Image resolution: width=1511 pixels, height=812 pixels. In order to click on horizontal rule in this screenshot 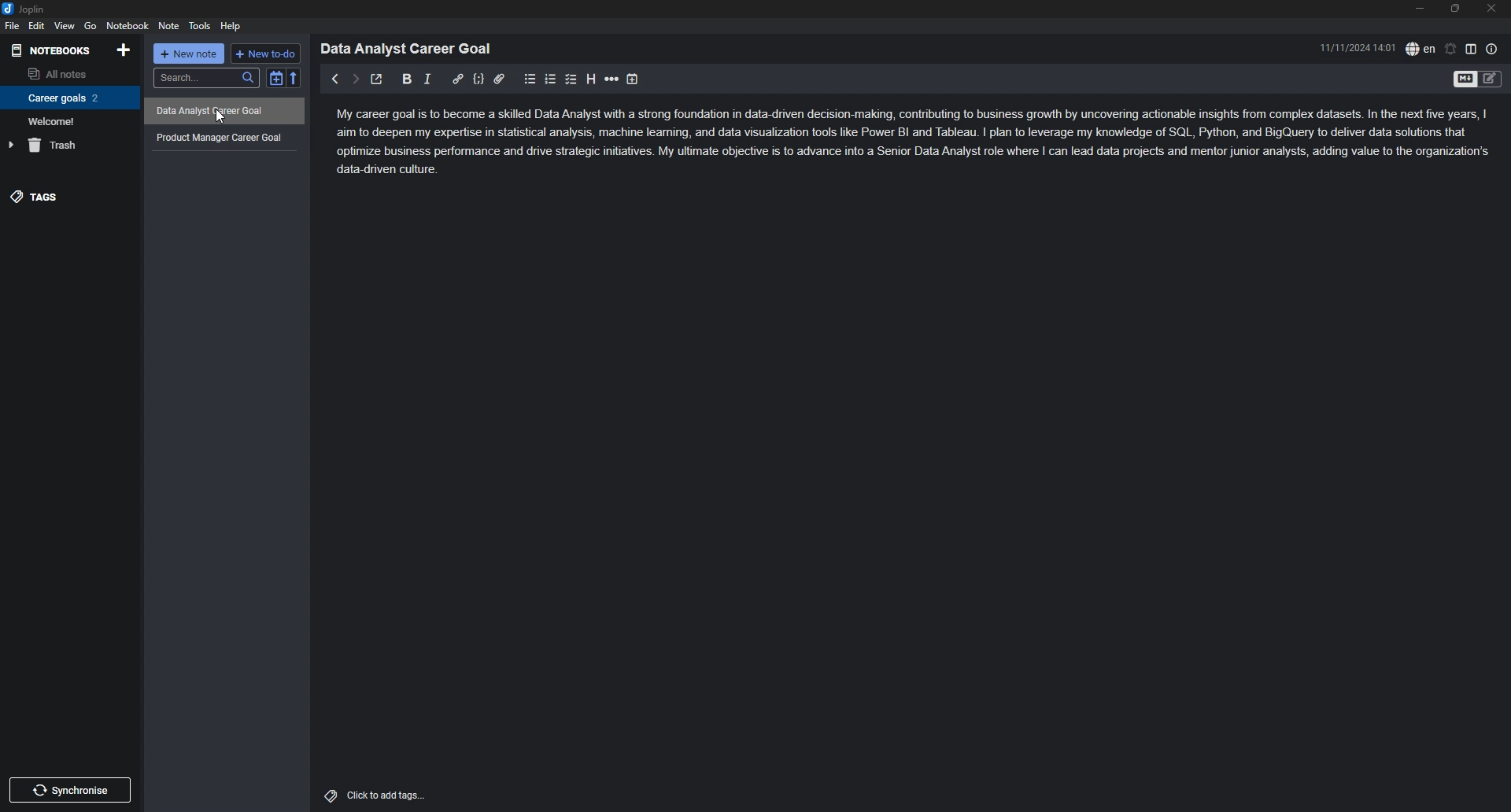, I will do `click(611, 79)`.